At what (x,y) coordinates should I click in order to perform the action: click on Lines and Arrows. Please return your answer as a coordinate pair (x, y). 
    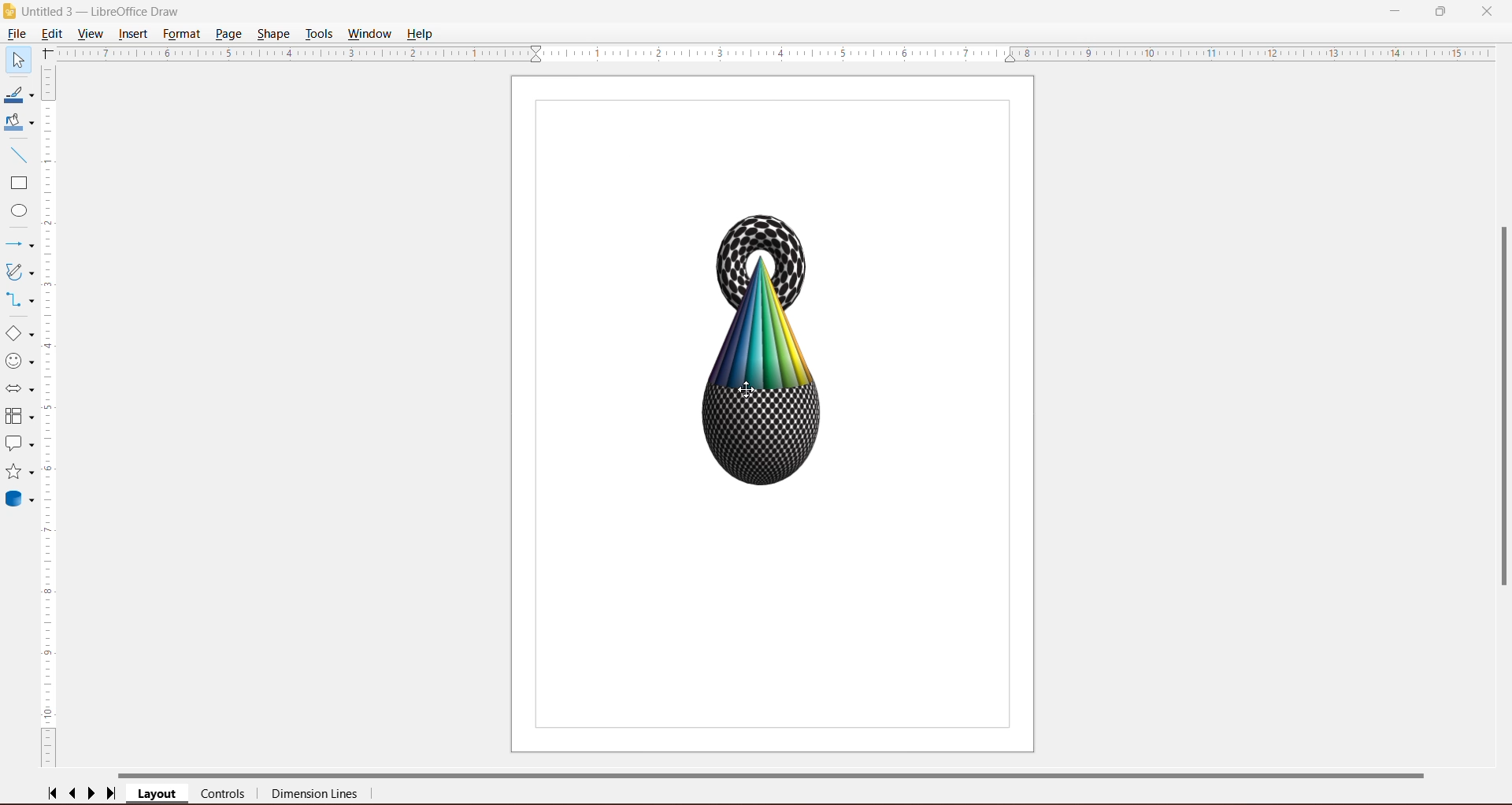
    Looking at the image, I should click on (20, 244).